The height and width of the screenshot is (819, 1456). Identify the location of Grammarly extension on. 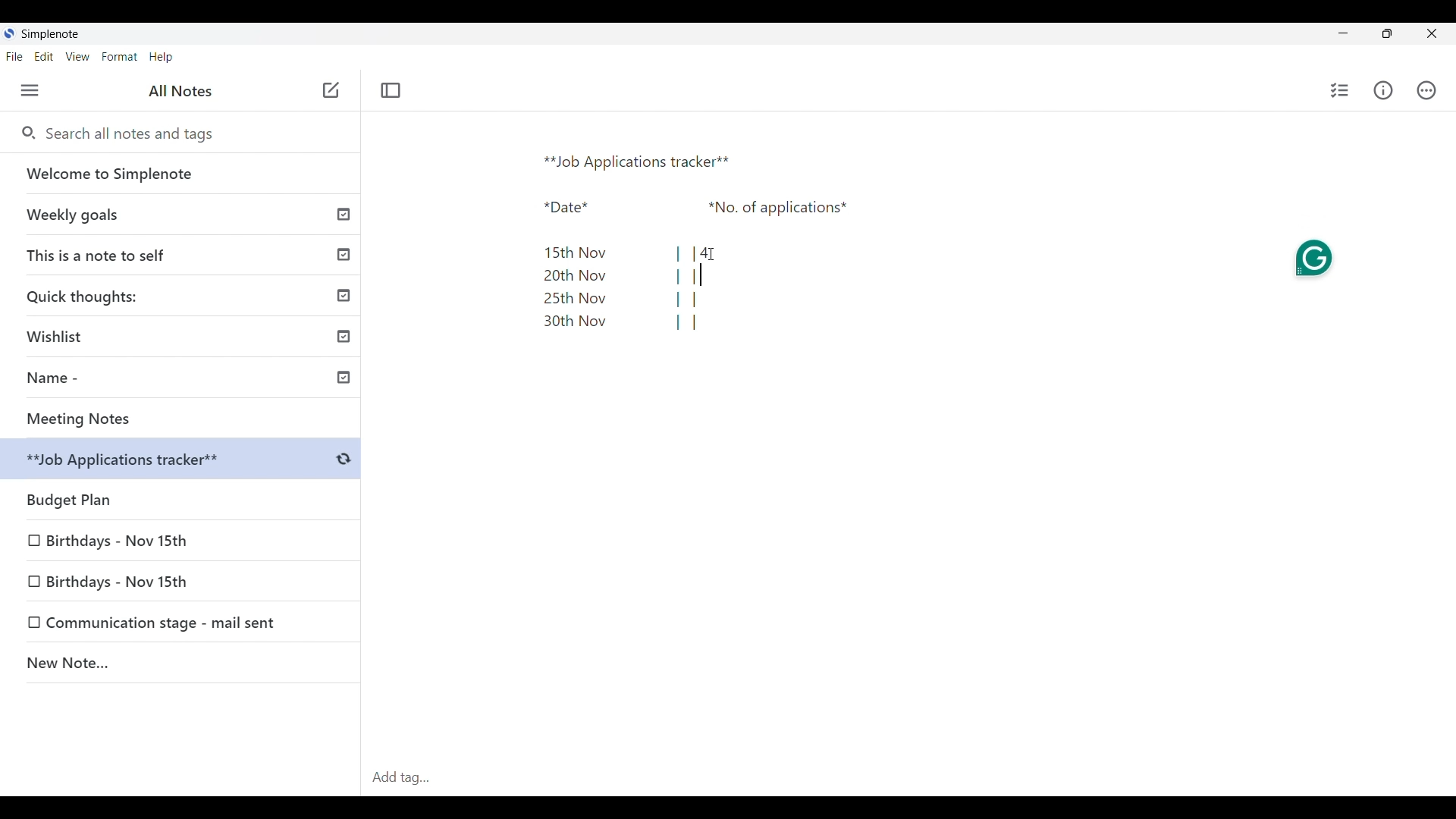
(1315, 256).